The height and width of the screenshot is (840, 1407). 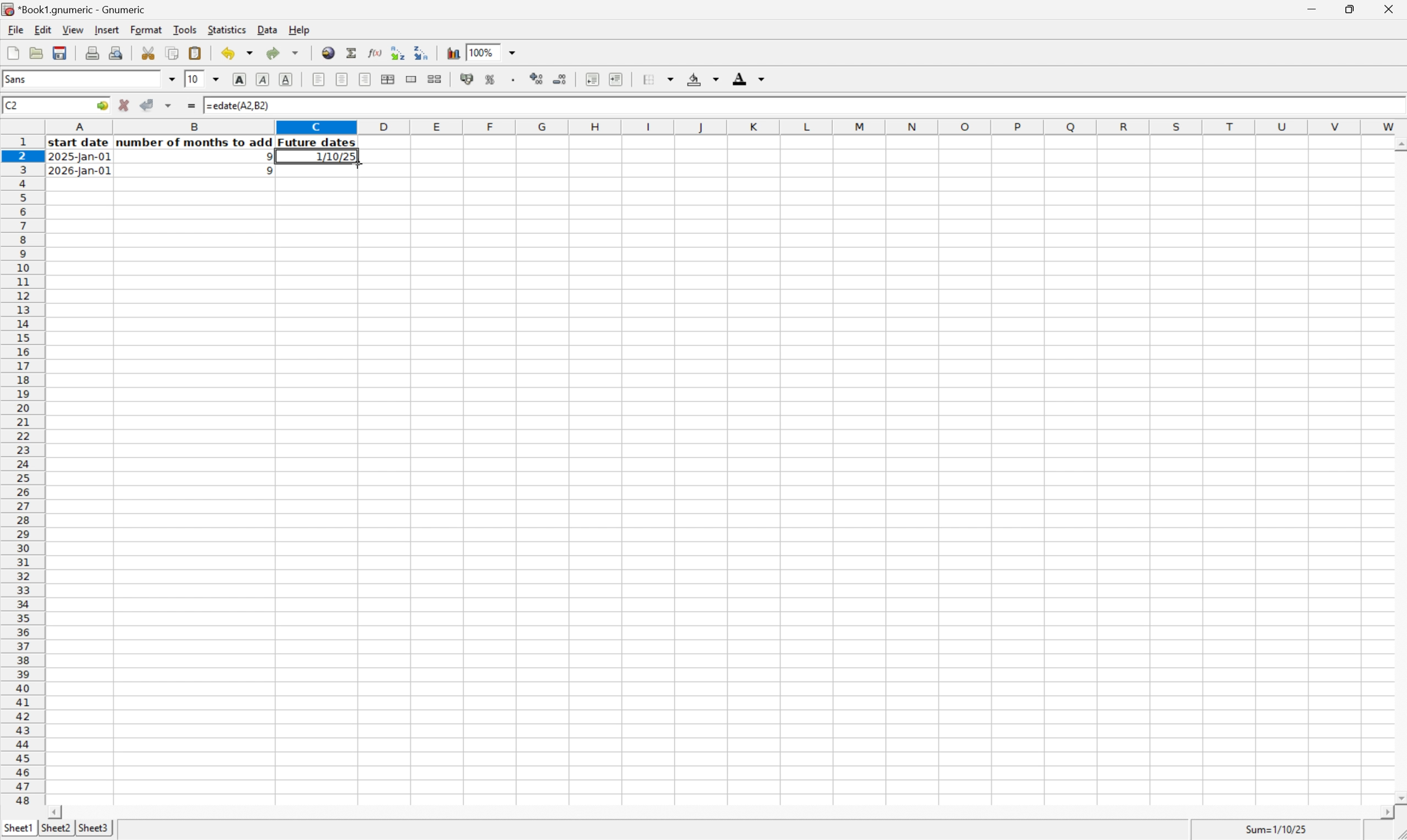 I want to click on Insert, so click(x=106, y=29).